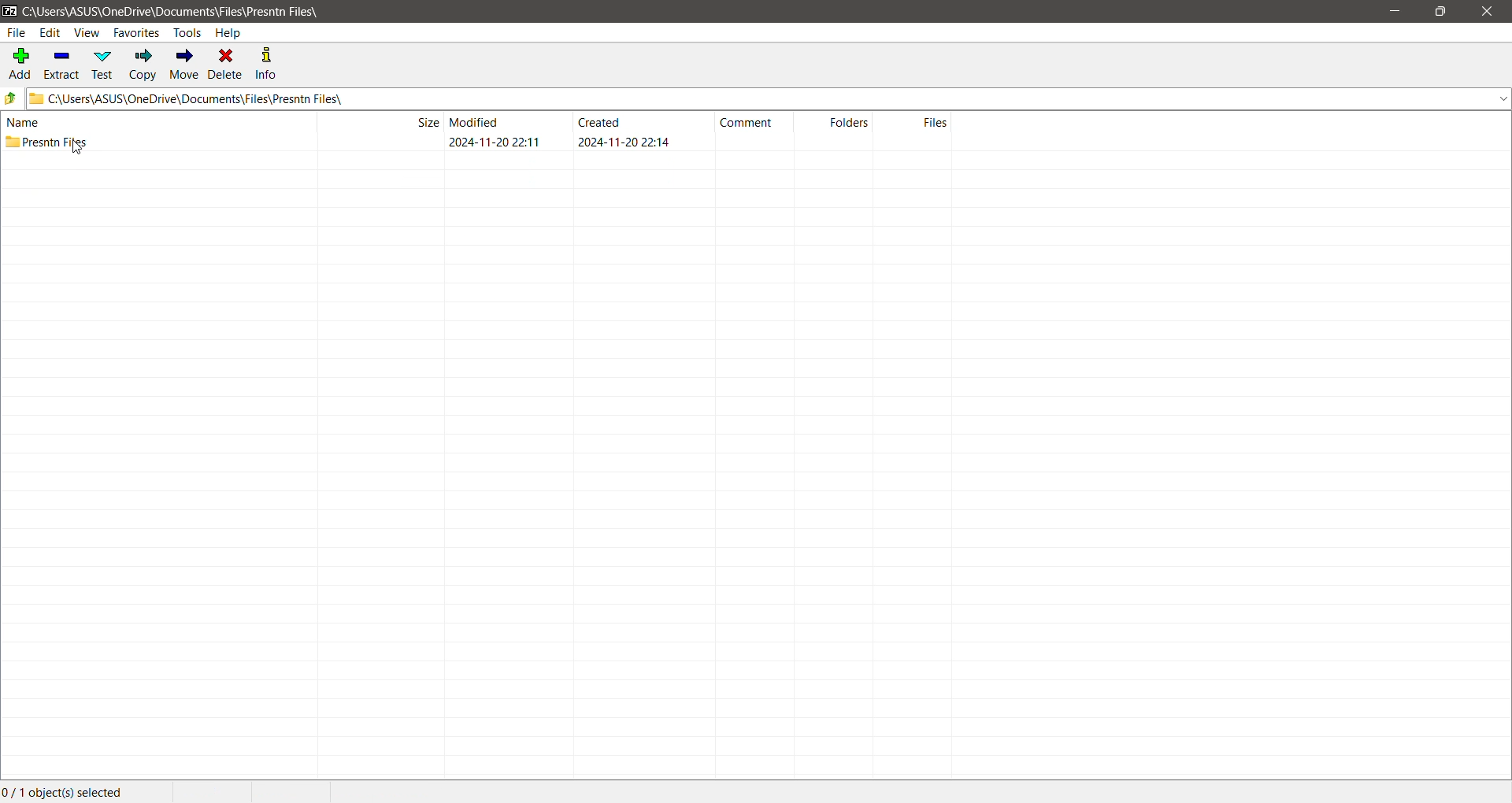 The height and width of the screenshot is (803, 1512). I want to click on Current Folder Path, so click(177, 10).